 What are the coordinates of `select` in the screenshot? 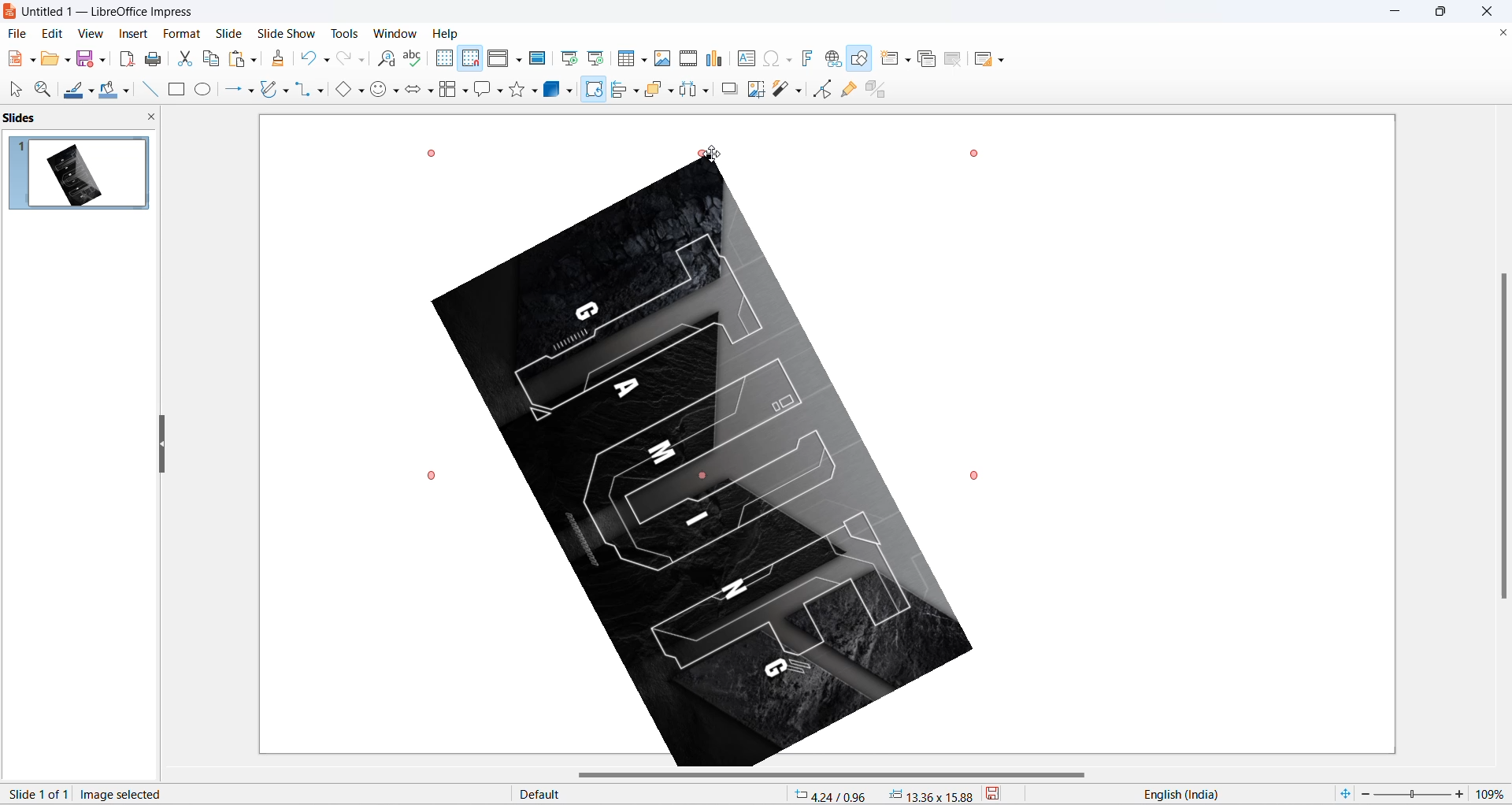 It's located at (13, 91).